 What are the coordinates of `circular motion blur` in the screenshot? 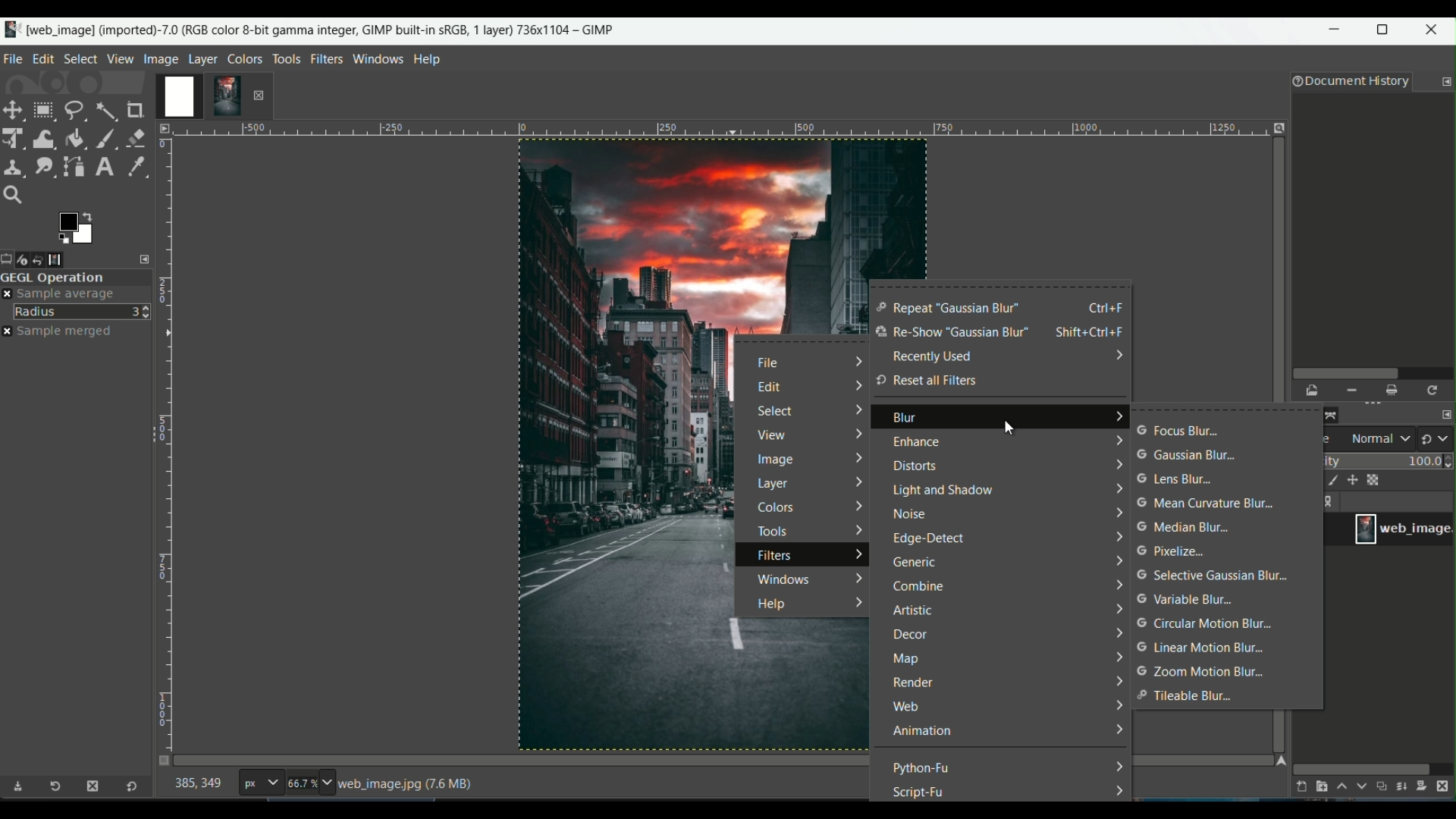 It's located at (1202, 624).